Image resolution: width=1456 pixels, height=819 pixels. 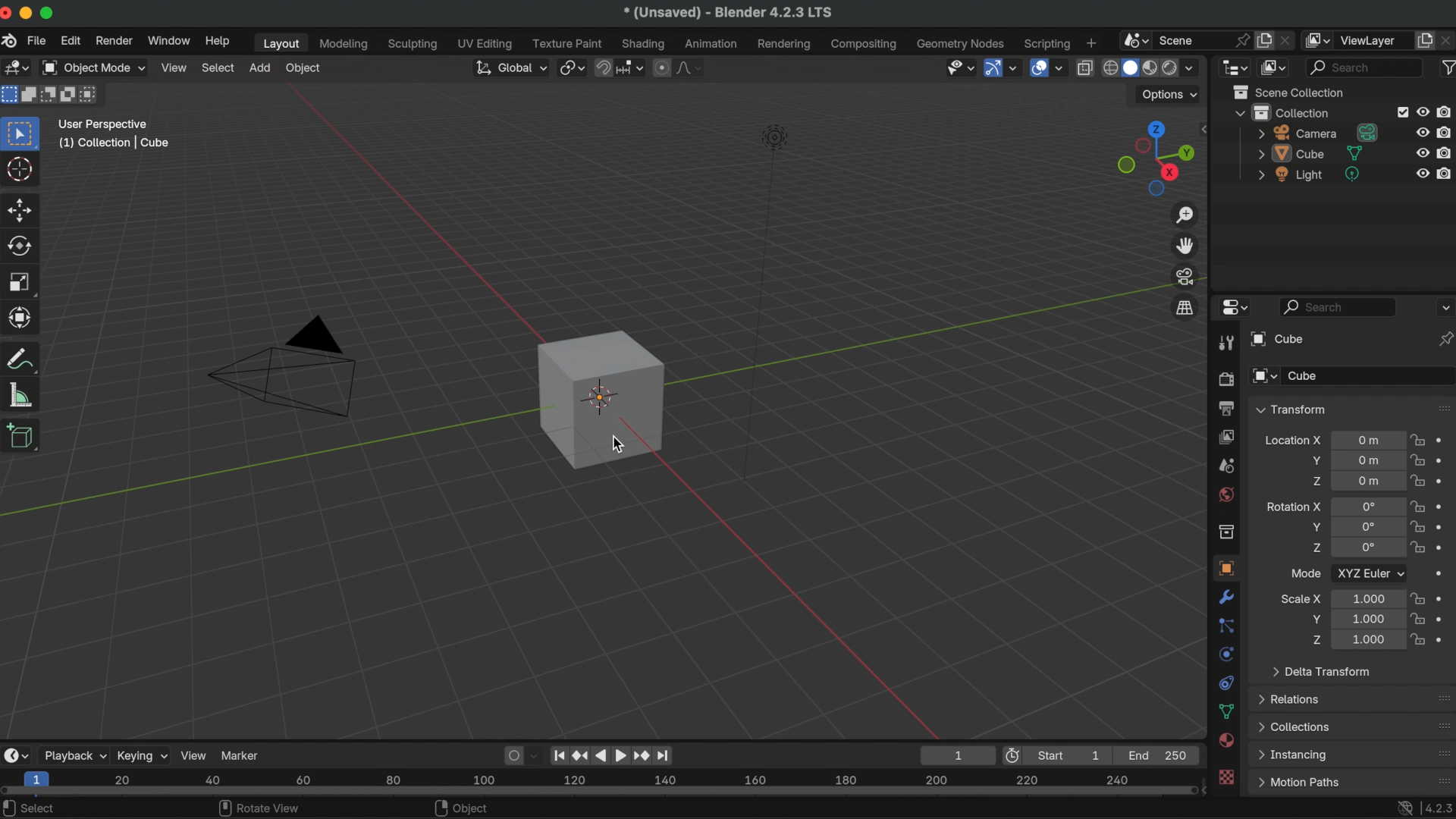 I want to click on side bar settings, so click(x=1207, y=127).